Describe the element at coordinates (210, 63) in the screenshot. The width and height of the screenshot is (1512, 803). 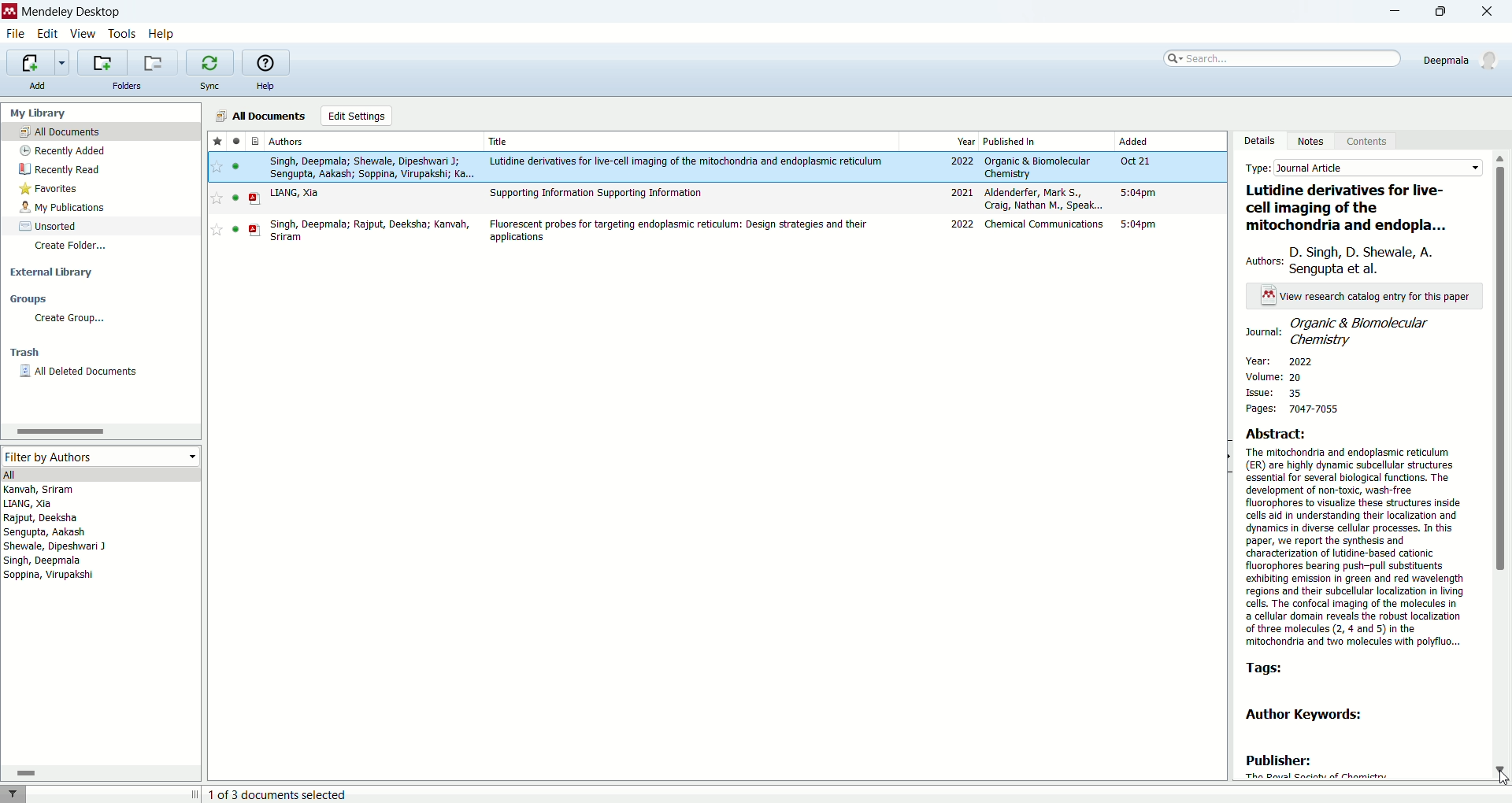
I see `synchronize the library with mendeley web` at that location.